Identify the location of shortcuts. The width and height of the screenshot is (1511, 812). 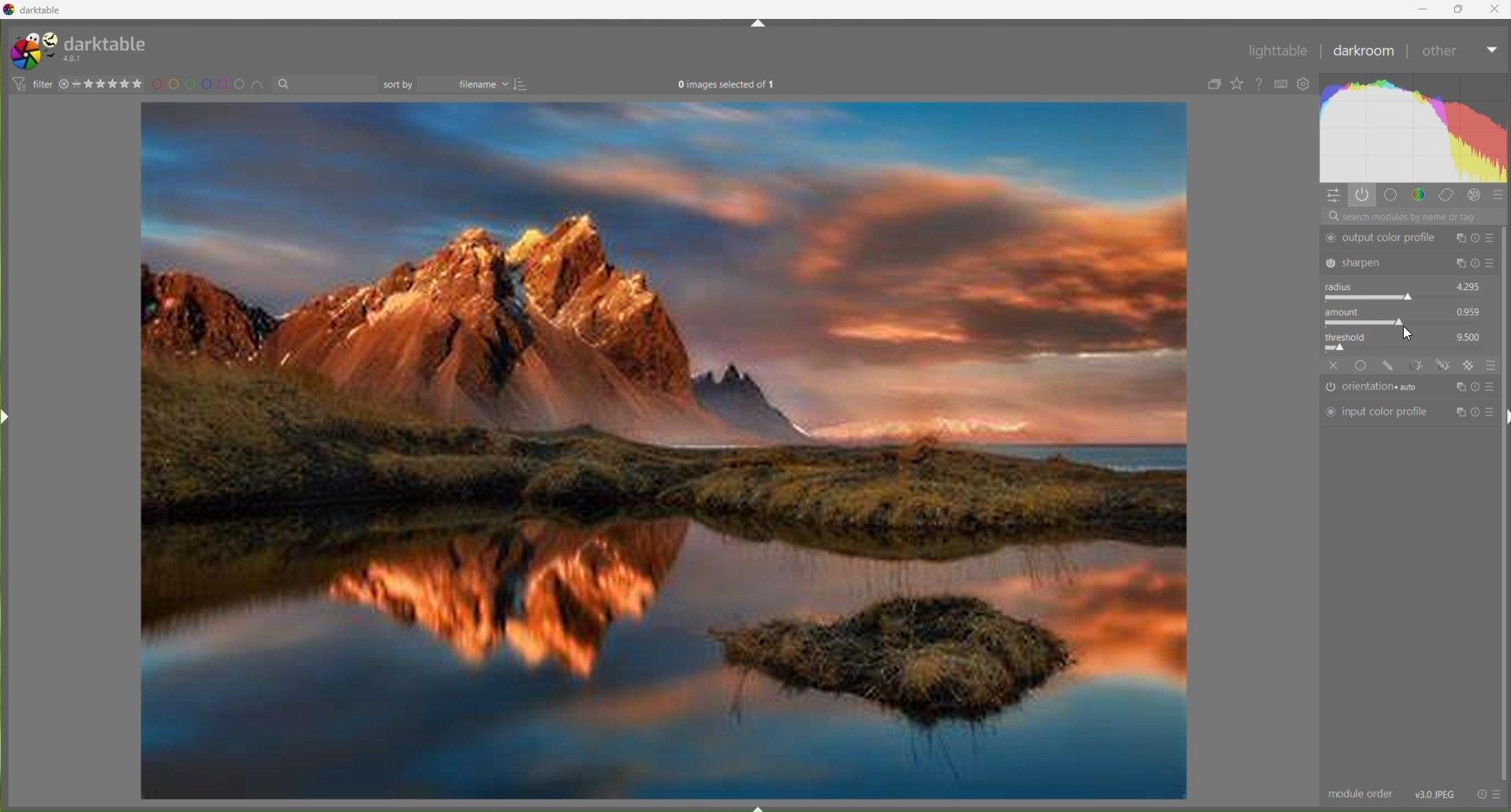
(1282, 84).